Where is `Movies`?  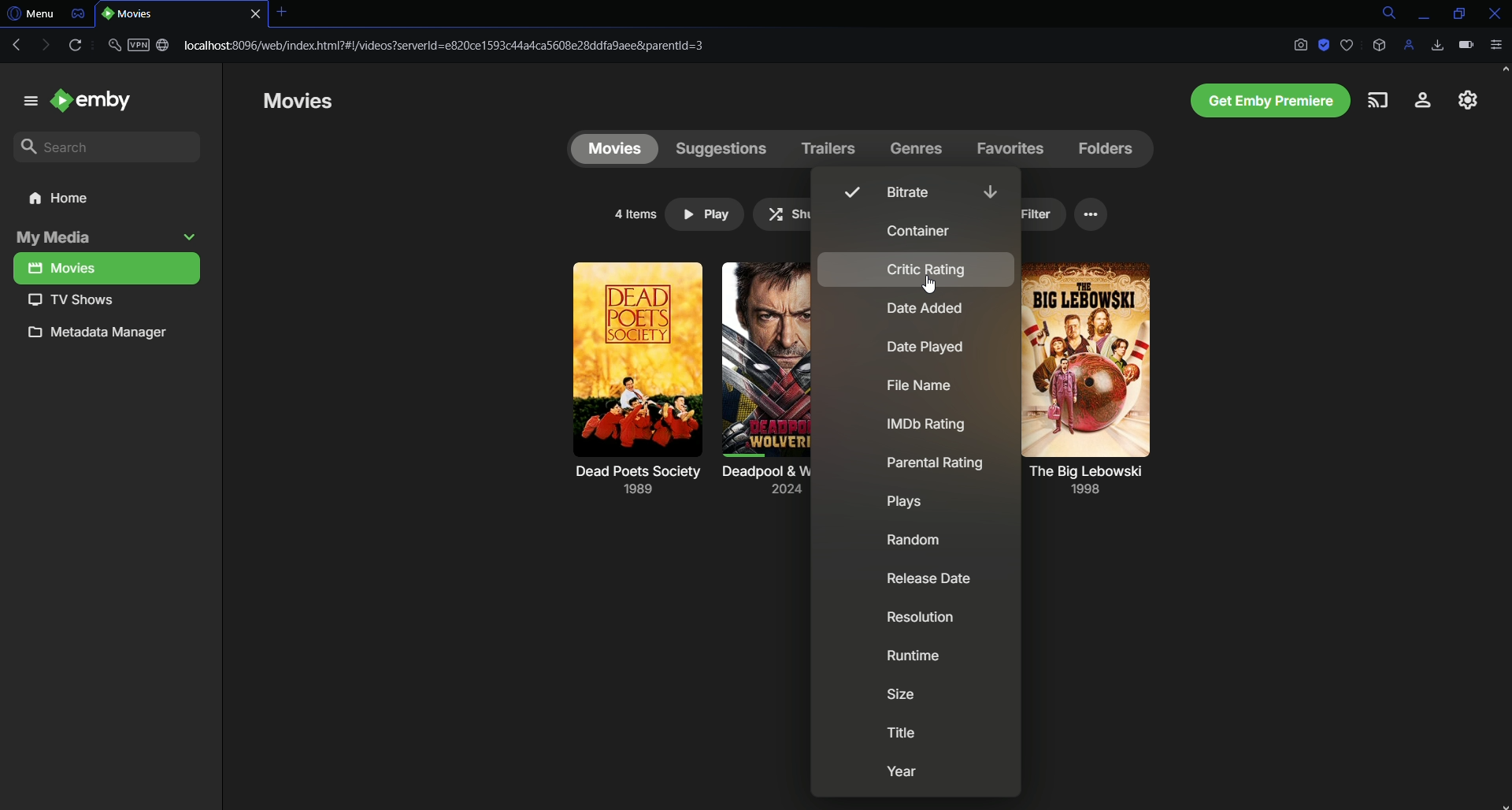 Movies is located at coordinates (106, 269).